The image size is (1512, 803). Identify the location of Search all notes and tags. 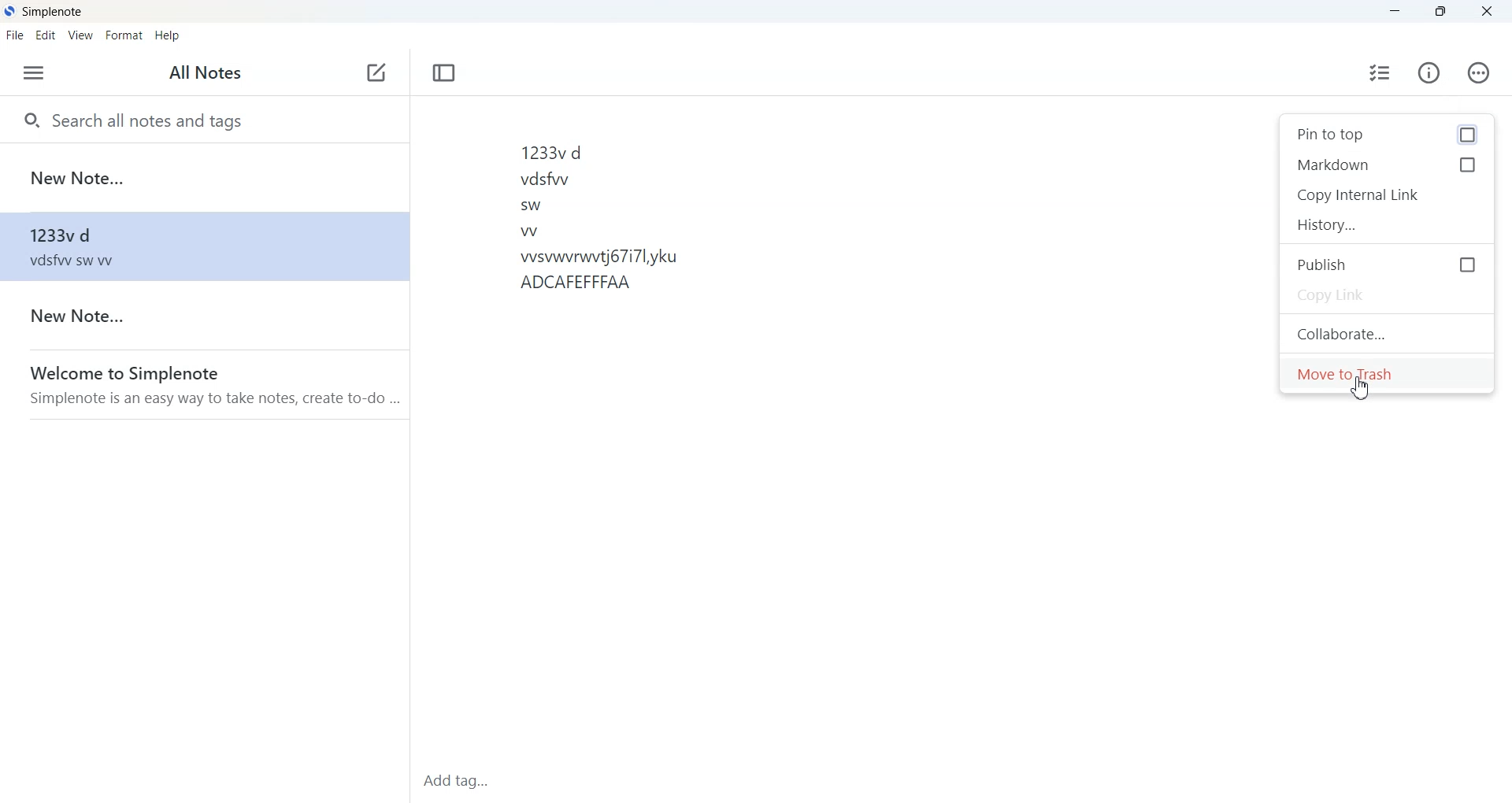
(205, 118).